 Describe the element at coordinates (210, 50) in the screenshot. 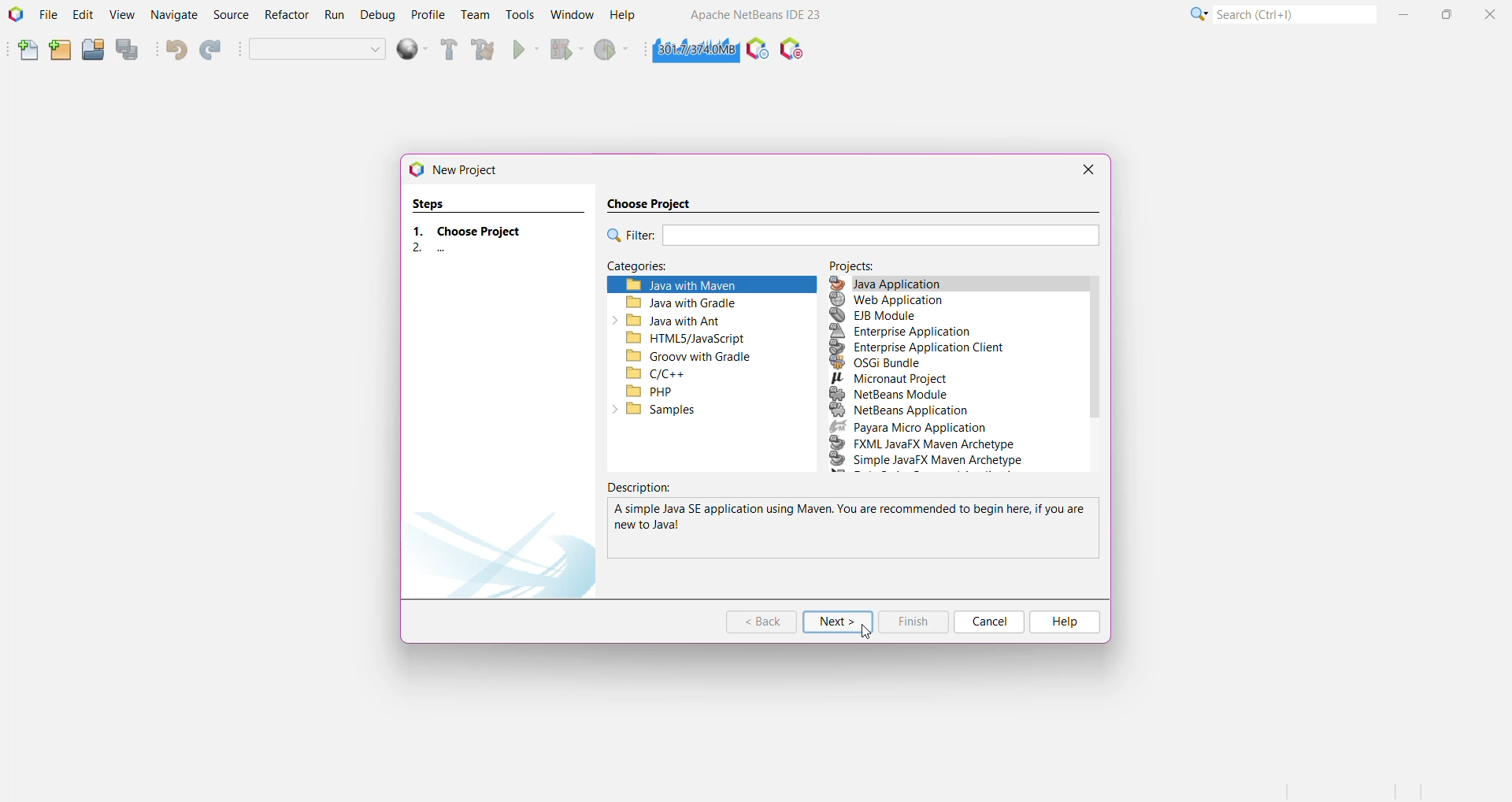

I see `Redo` at that location.